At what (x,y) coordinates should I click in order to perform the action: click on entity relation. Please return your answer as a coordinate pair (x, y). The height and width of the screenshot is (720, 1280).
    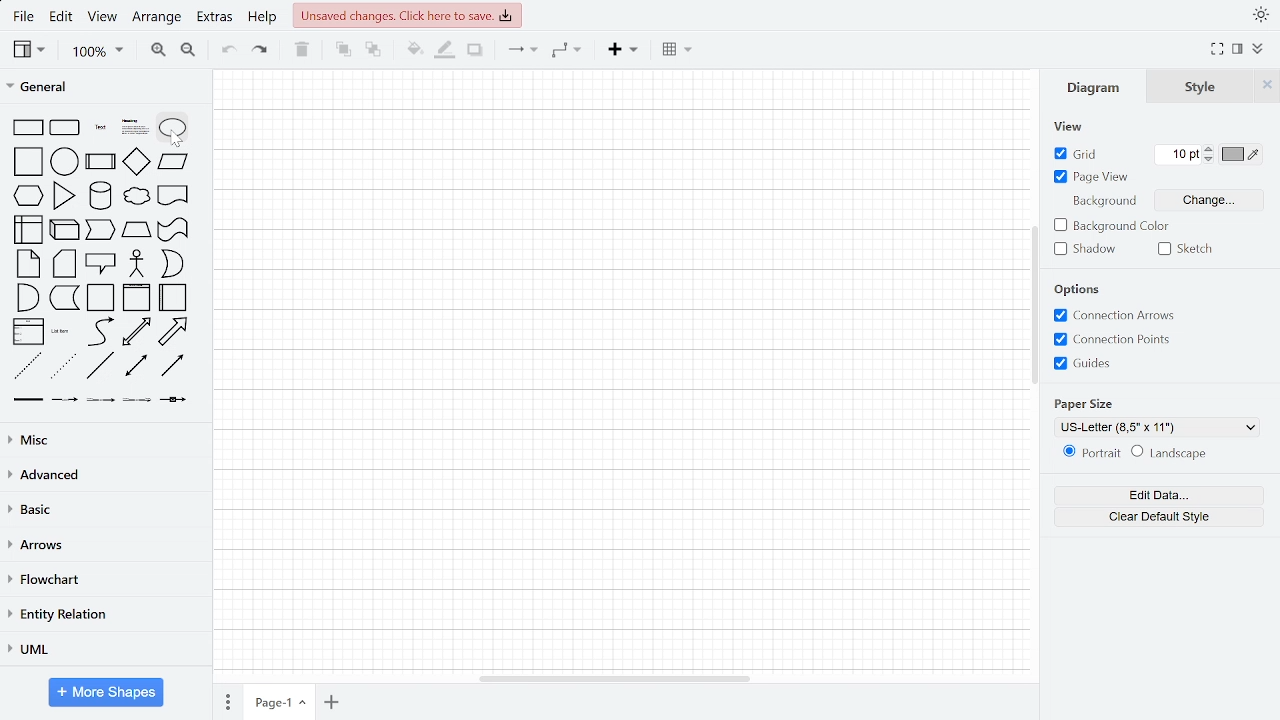
    Looking at the image, I should click on (99, 616).